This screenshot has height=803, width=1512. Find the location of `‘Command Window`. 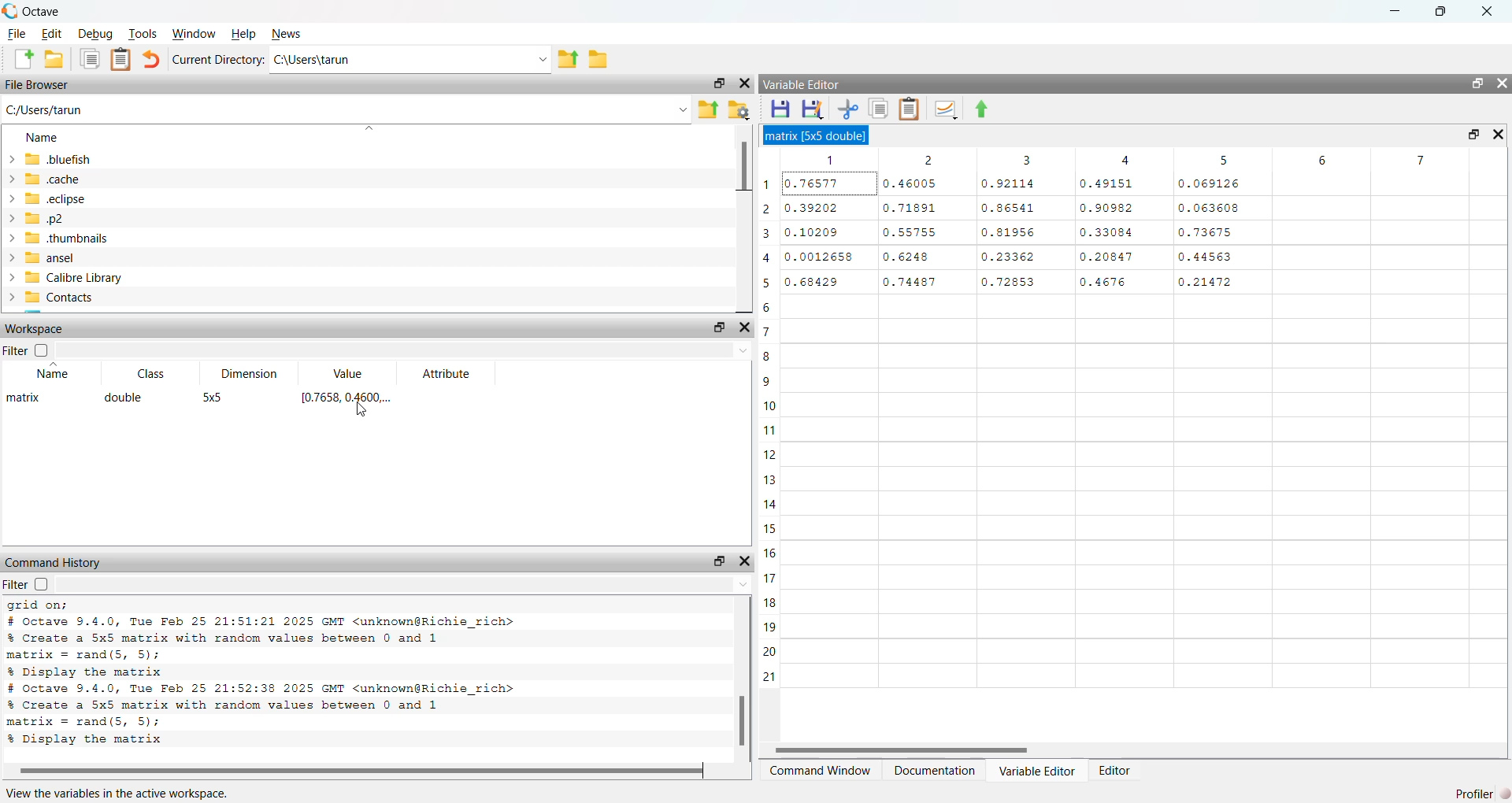

‘Command Window is located at coordinates (820, 772).